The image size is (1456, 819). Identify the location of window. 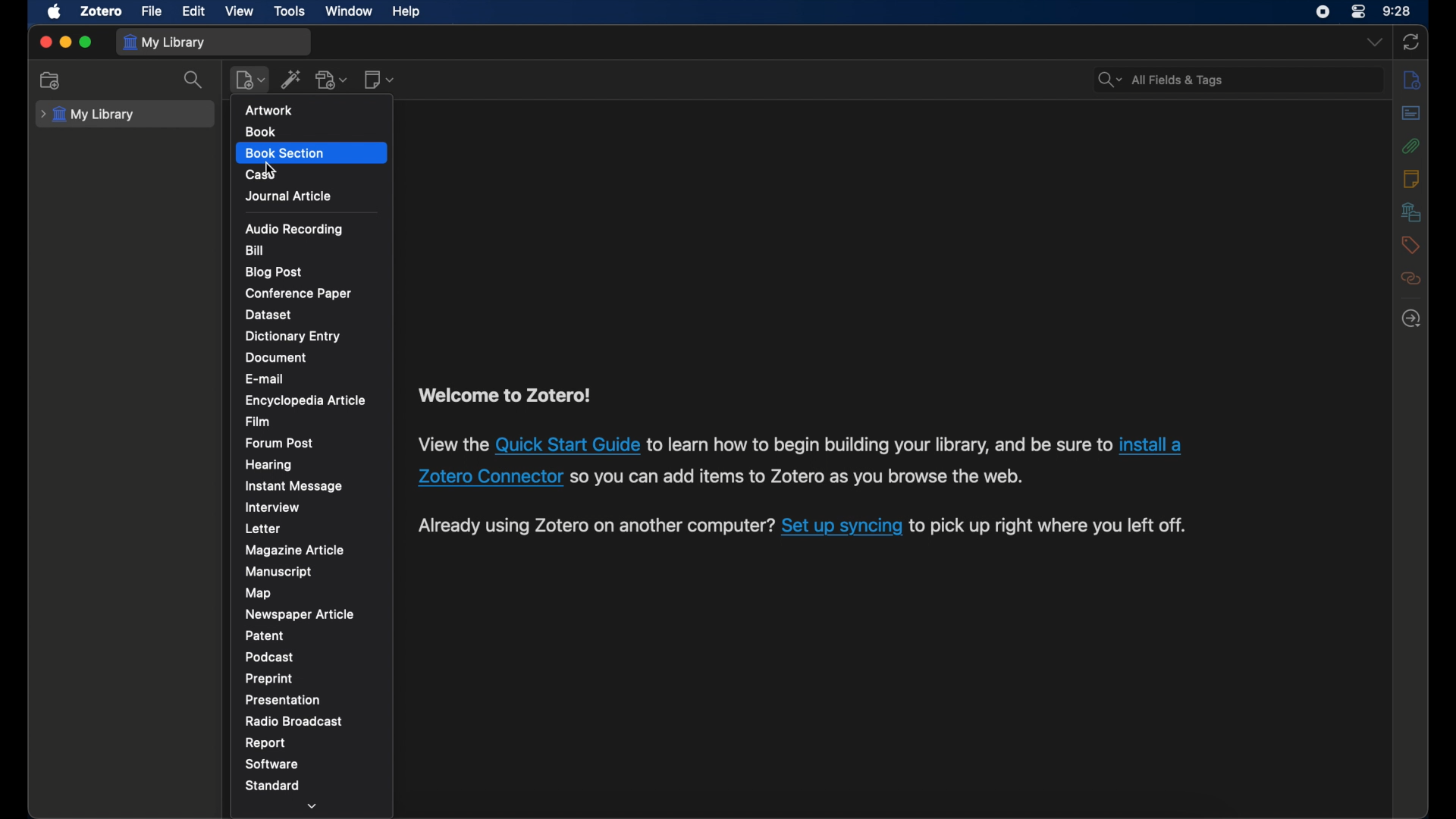
(350, 11).